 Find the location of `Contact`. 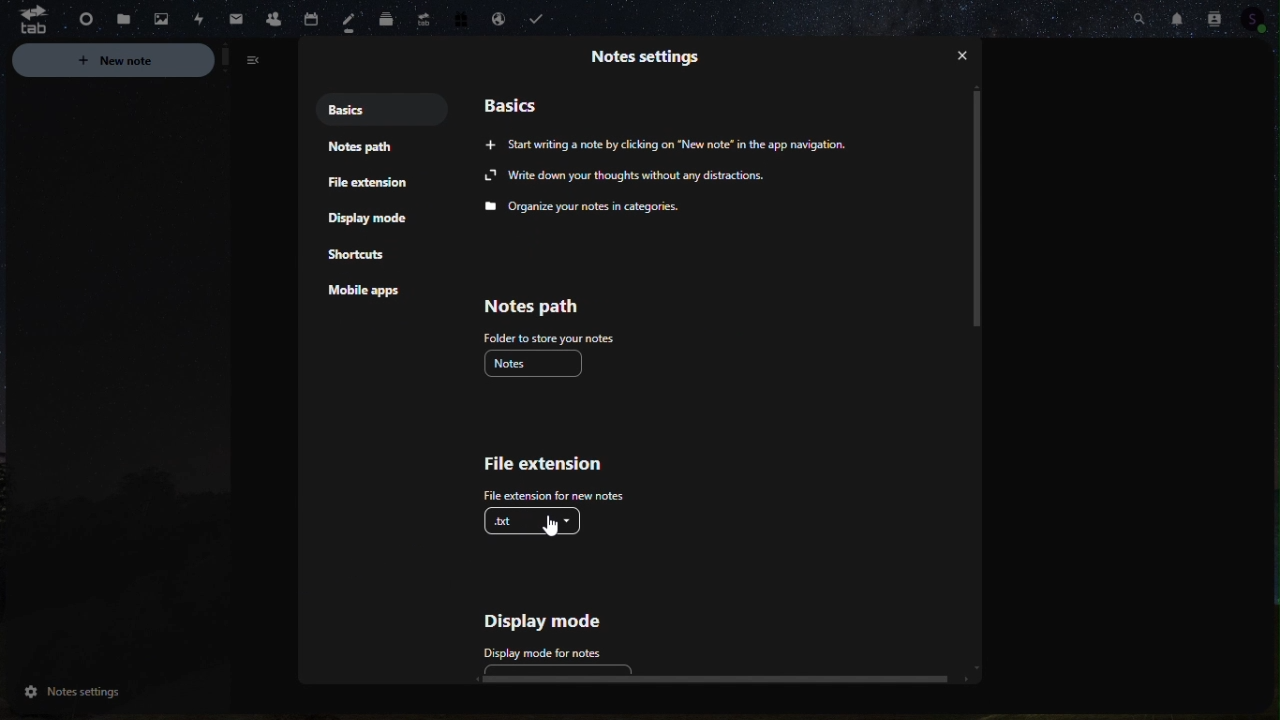

Contact is located at coordinates (1214, 15).